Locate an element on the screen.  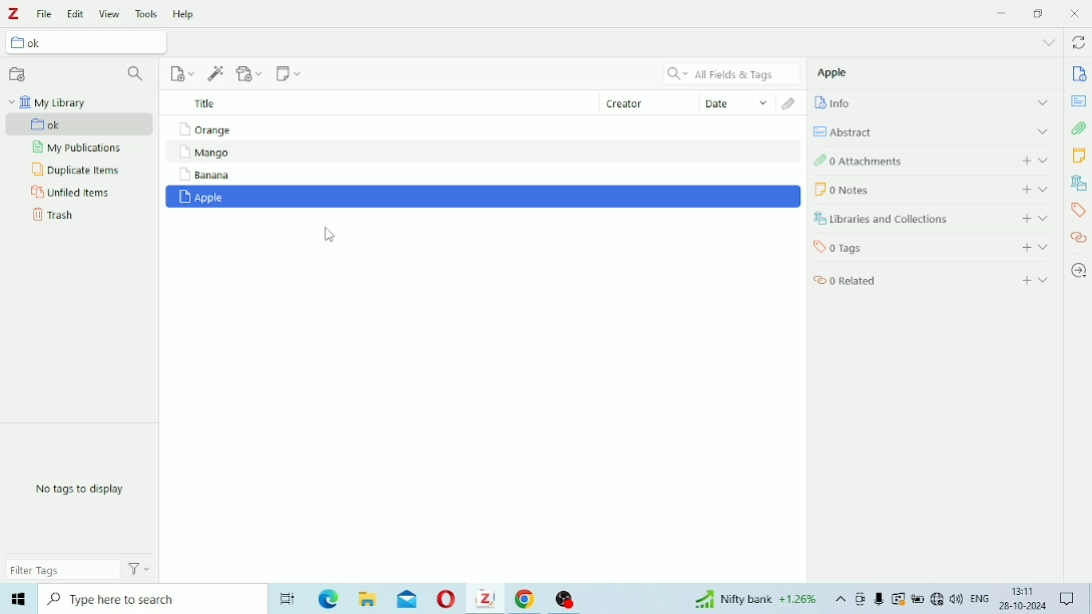
Title is located at coordinates (373, 103).